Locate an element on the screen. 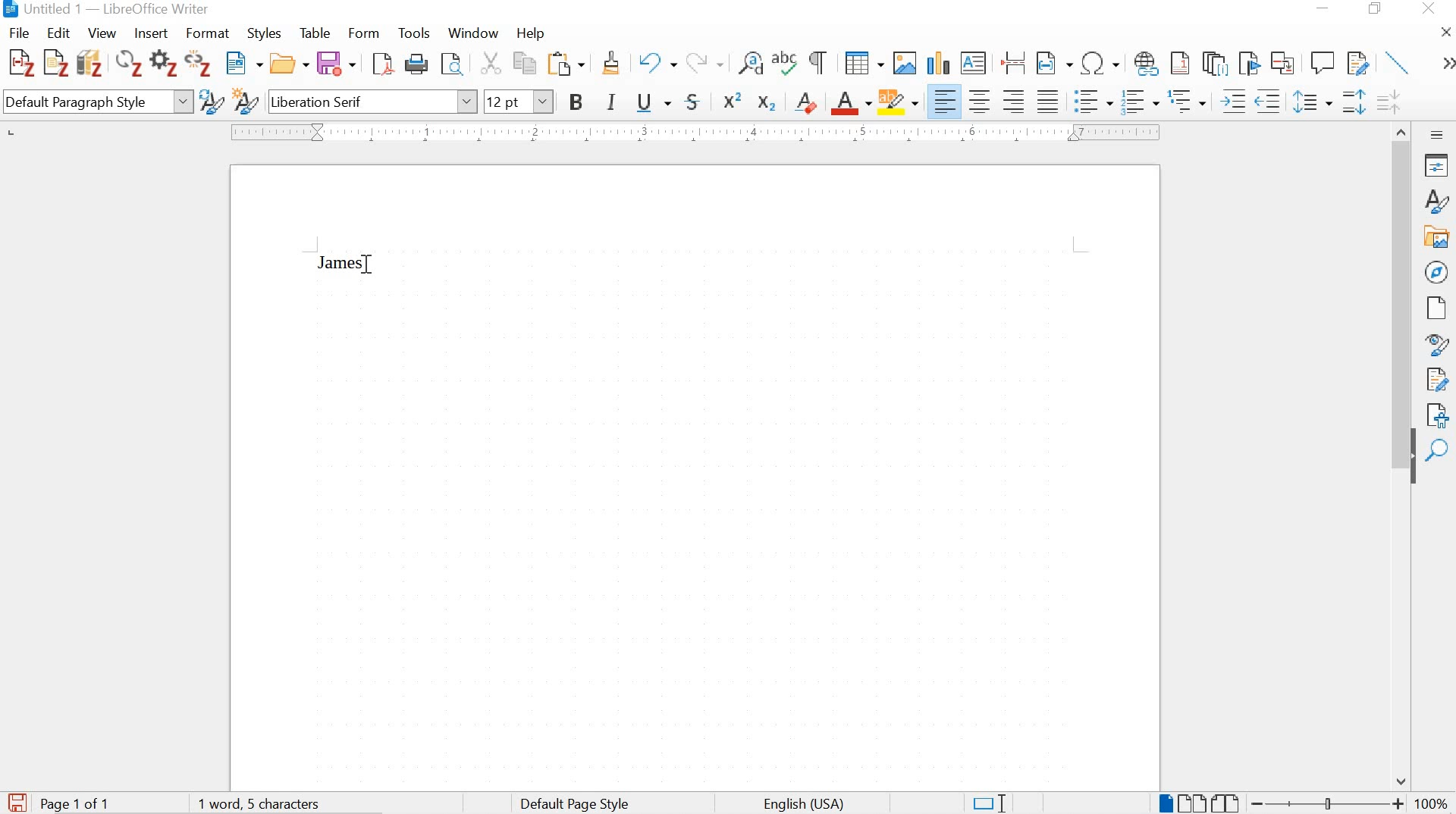  align left is located at coordinates (946, 102).